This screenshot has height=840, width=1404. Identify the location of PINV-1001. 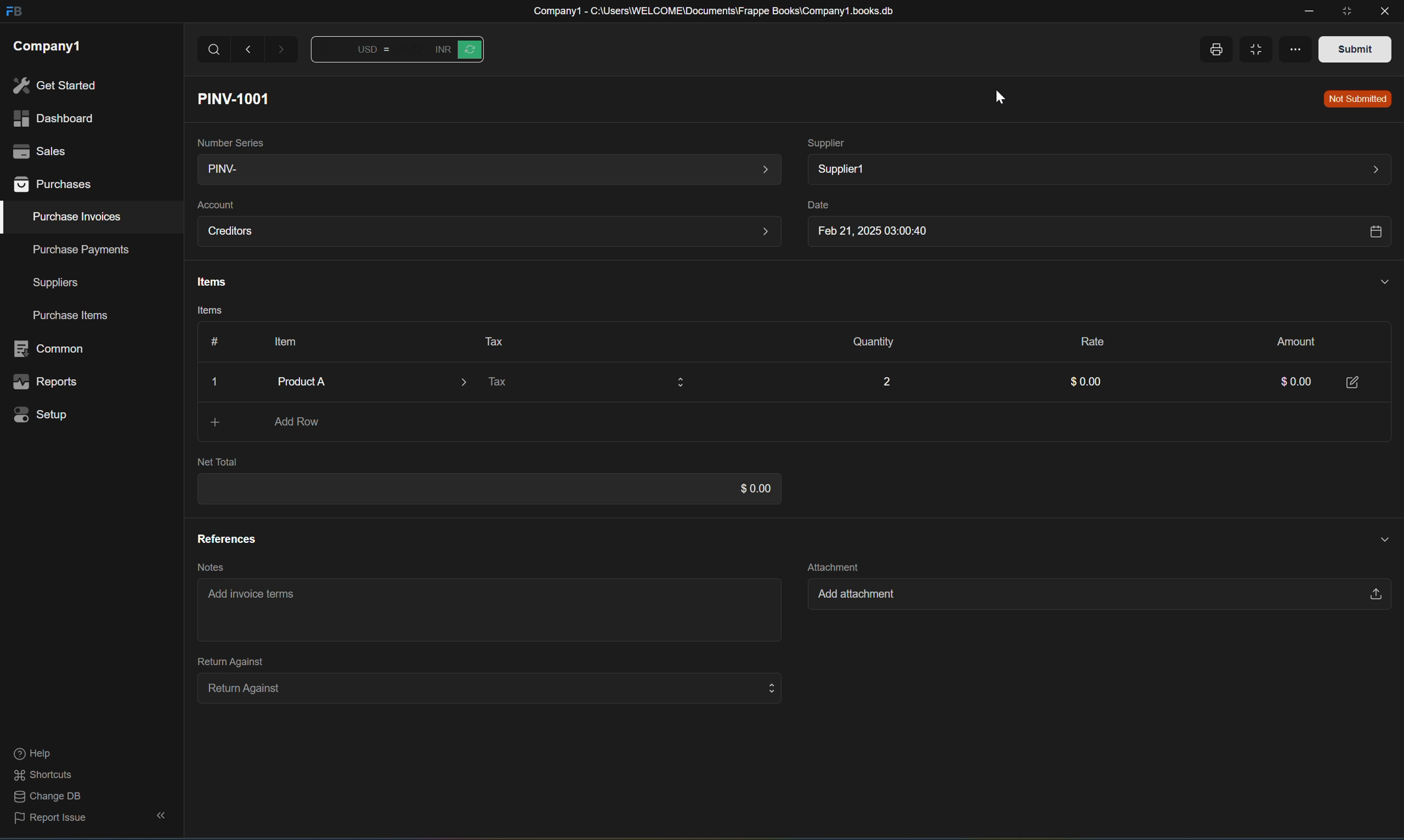
(238, 98).